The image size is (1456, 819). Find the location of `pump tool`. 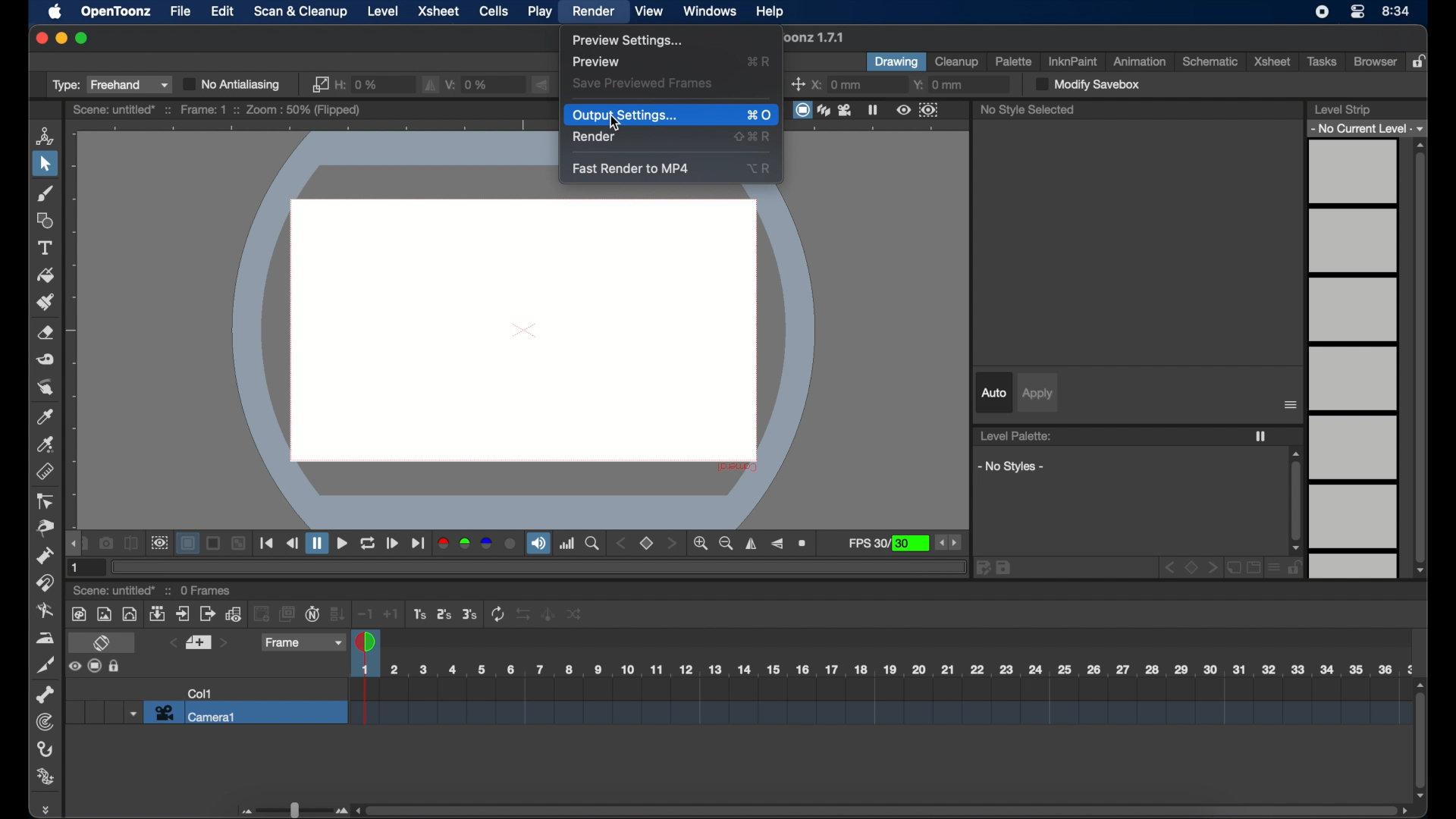

pump tool is located at coordinates (42, 555).